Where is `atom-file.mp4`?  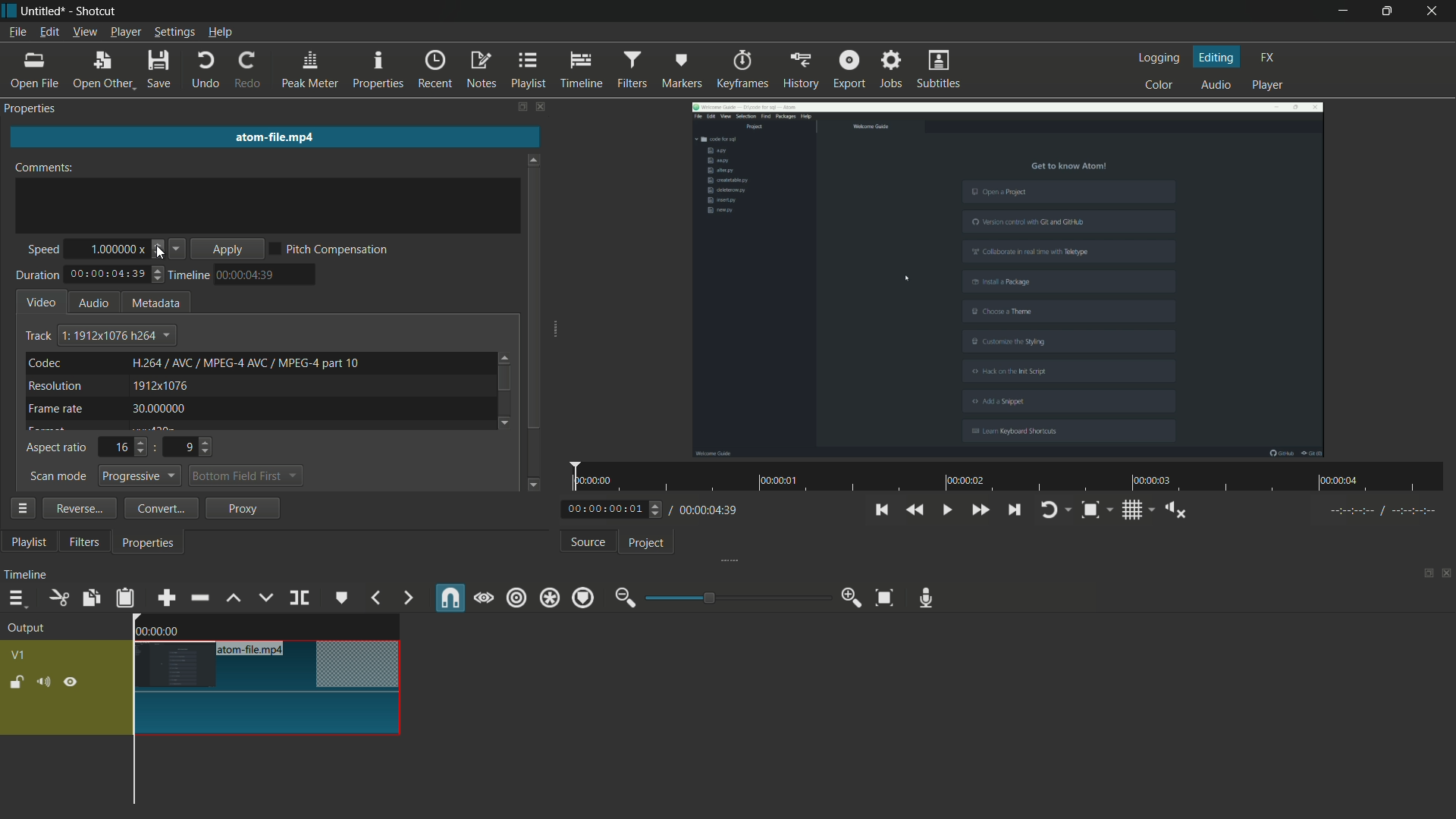 atom-file.mp4 is located at coordinates (256, 650).